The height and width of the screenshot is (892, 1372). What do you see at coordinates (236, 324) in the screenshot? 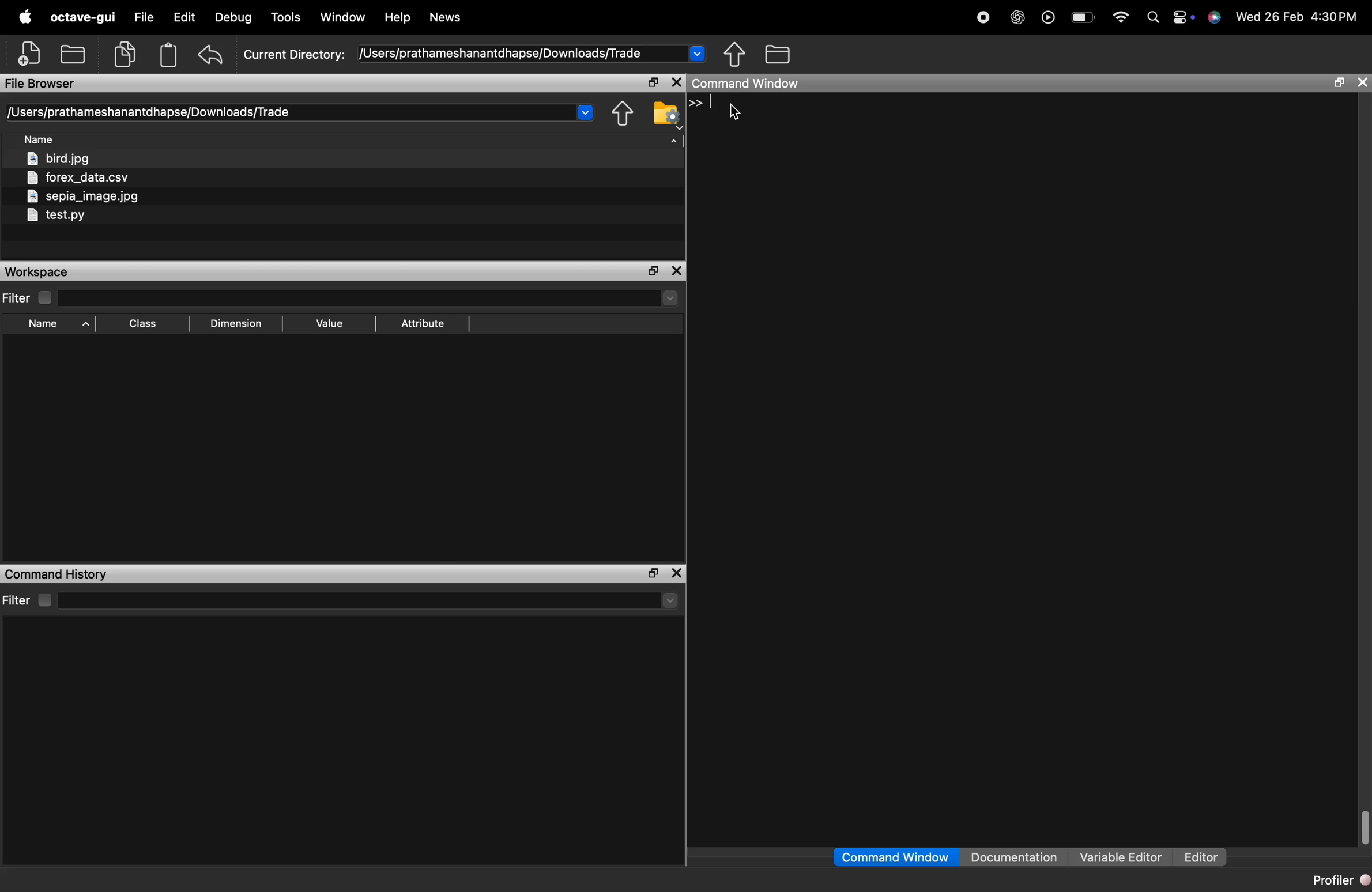
I see `Dimension` at bounding box center [236, 324].